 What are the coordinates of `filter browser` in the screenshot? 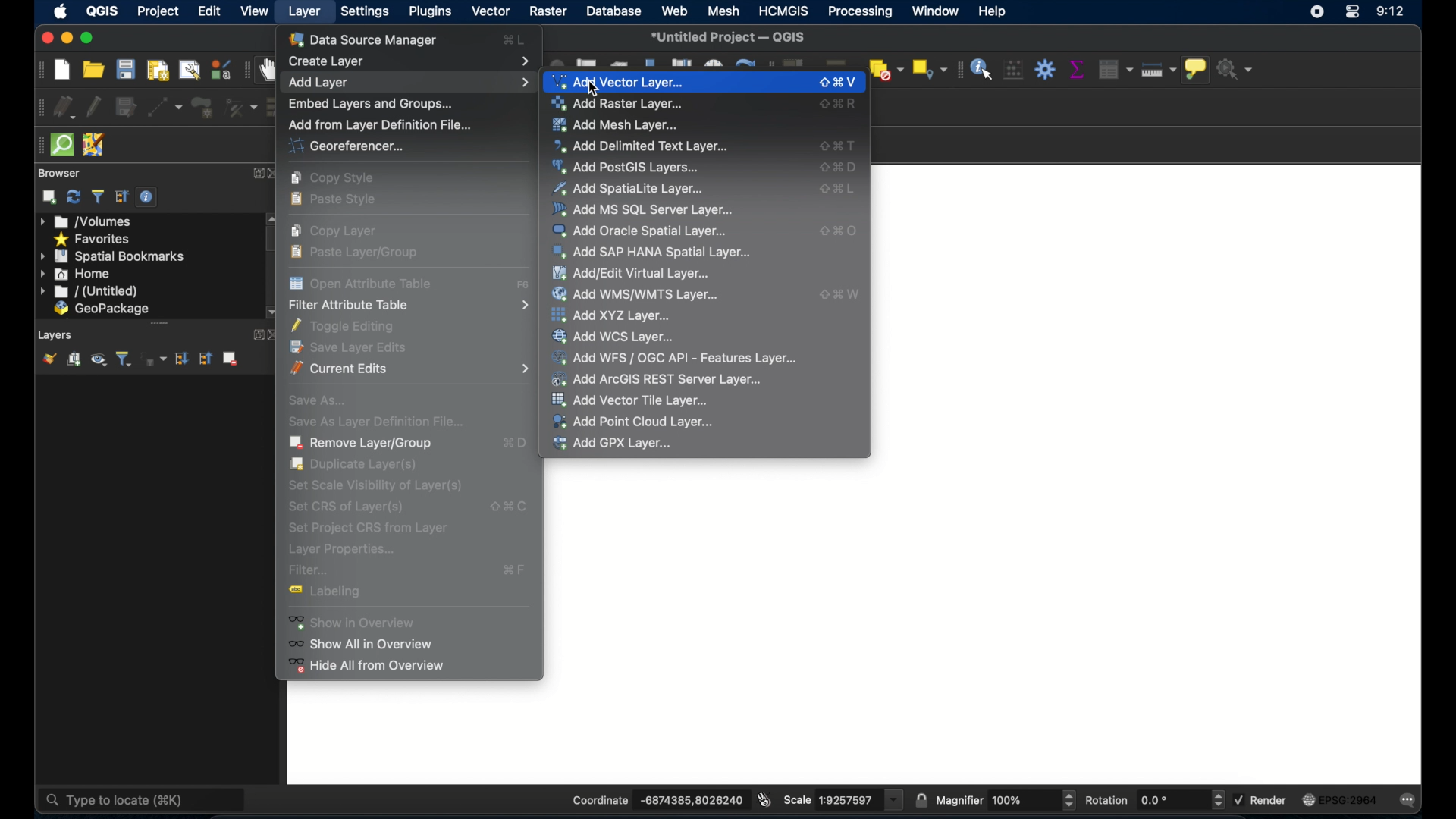 It's located at (97, 196).